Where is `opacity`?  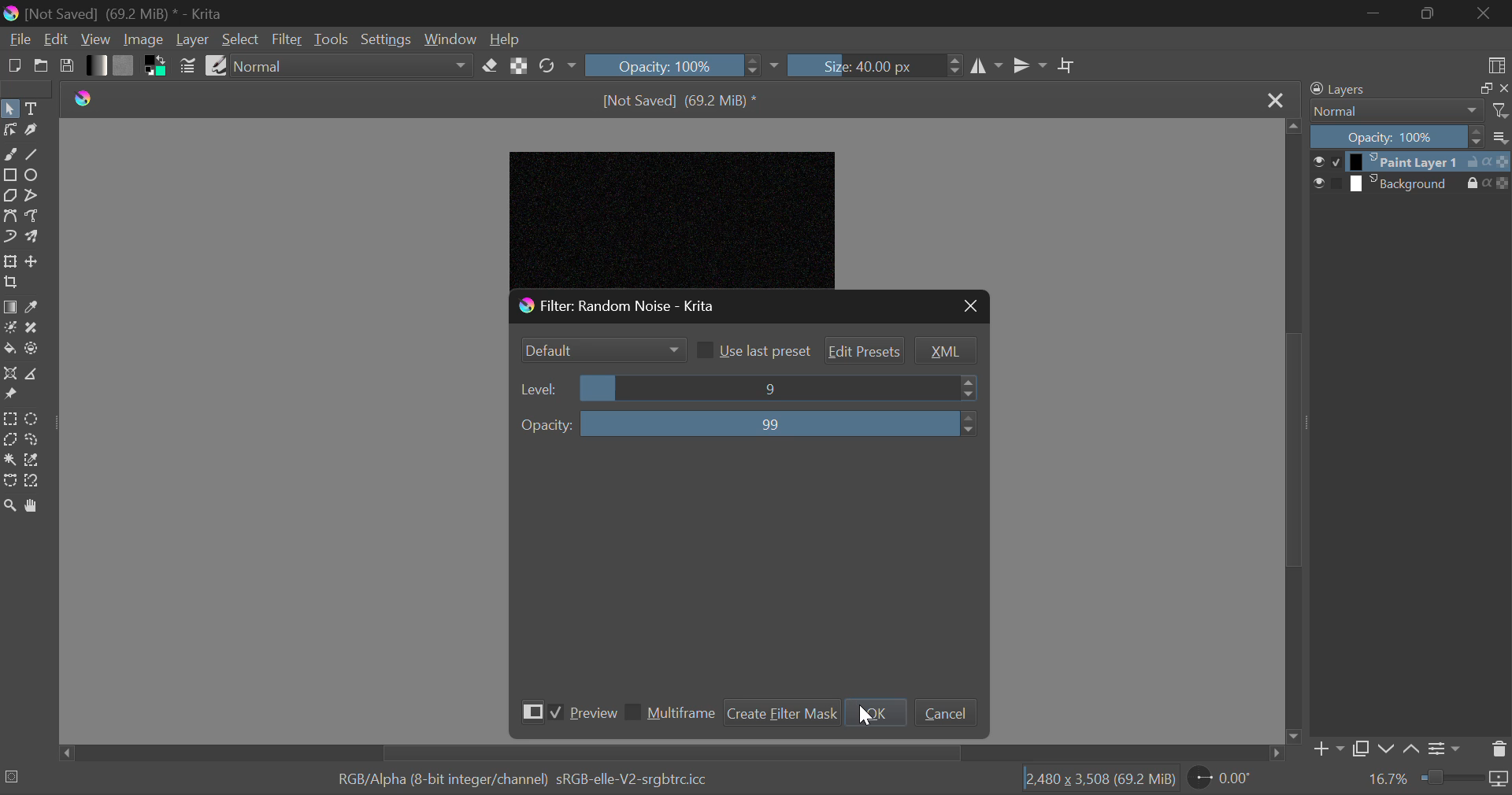
opacity is located at coordinates (1503, 162).